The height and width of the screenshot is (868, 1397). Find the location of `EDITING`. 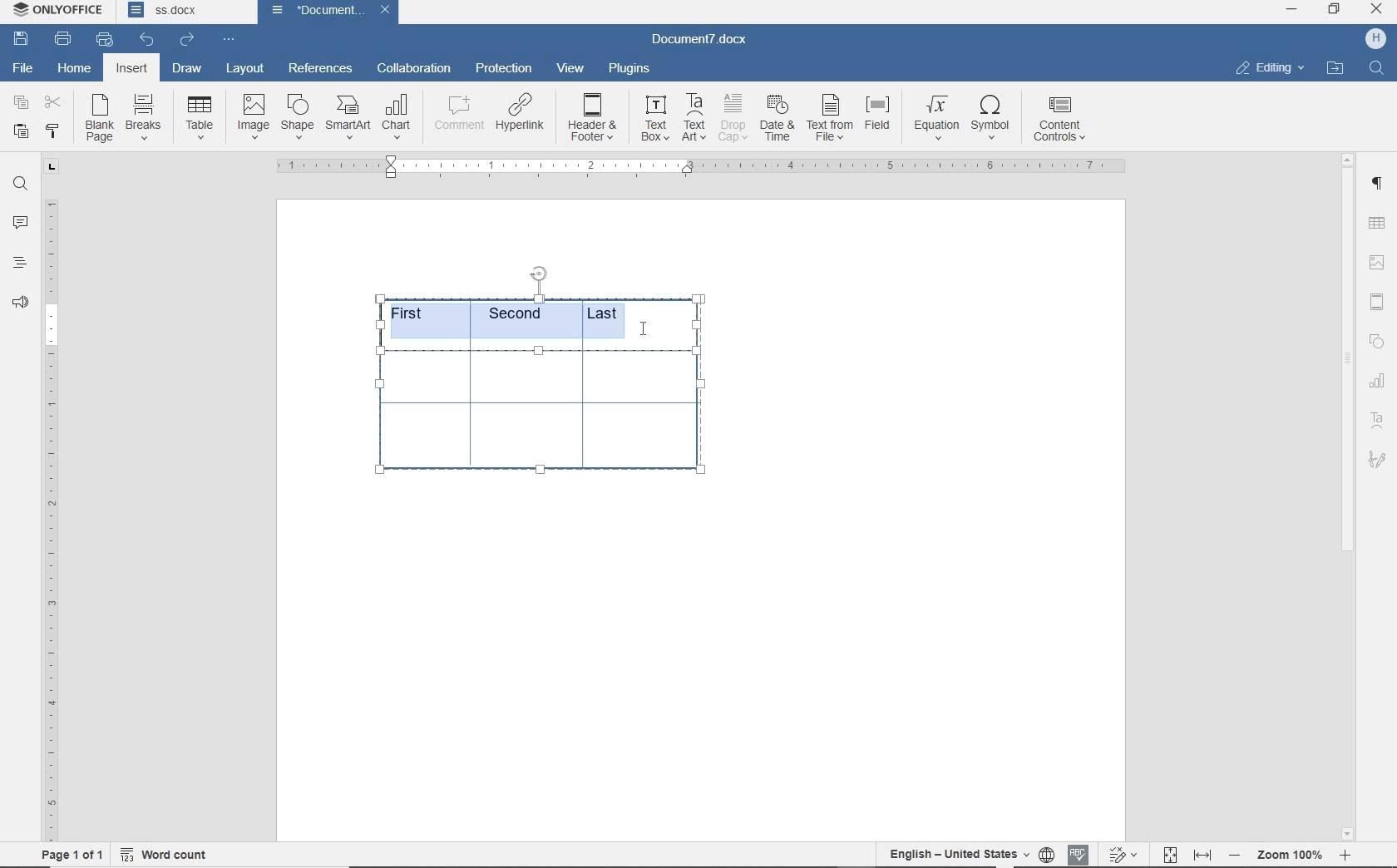

EDITING is located at coordinates (1268, 67).